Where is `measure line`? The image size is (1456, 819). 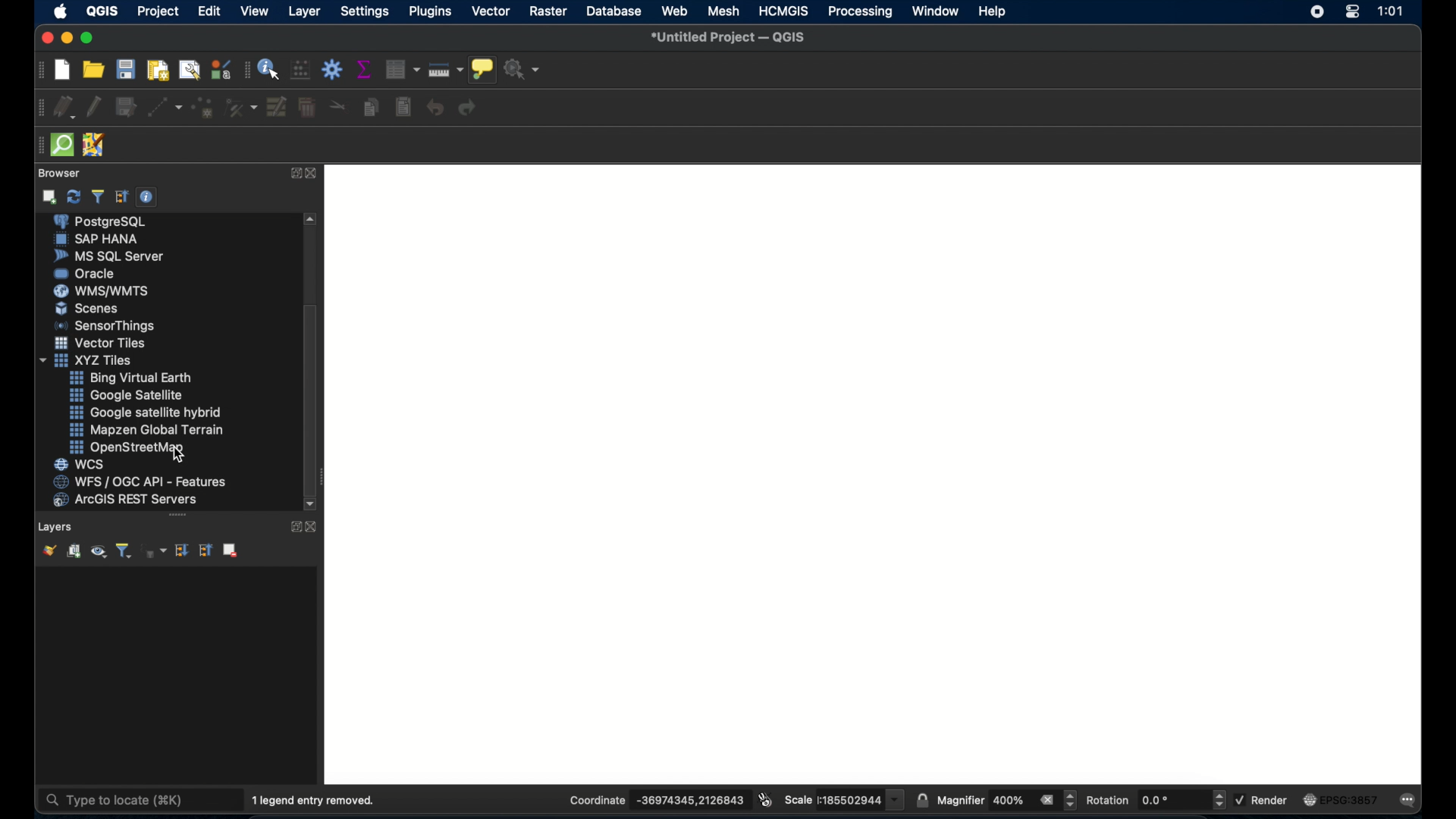 measure line is located at coordinates (446, 70).